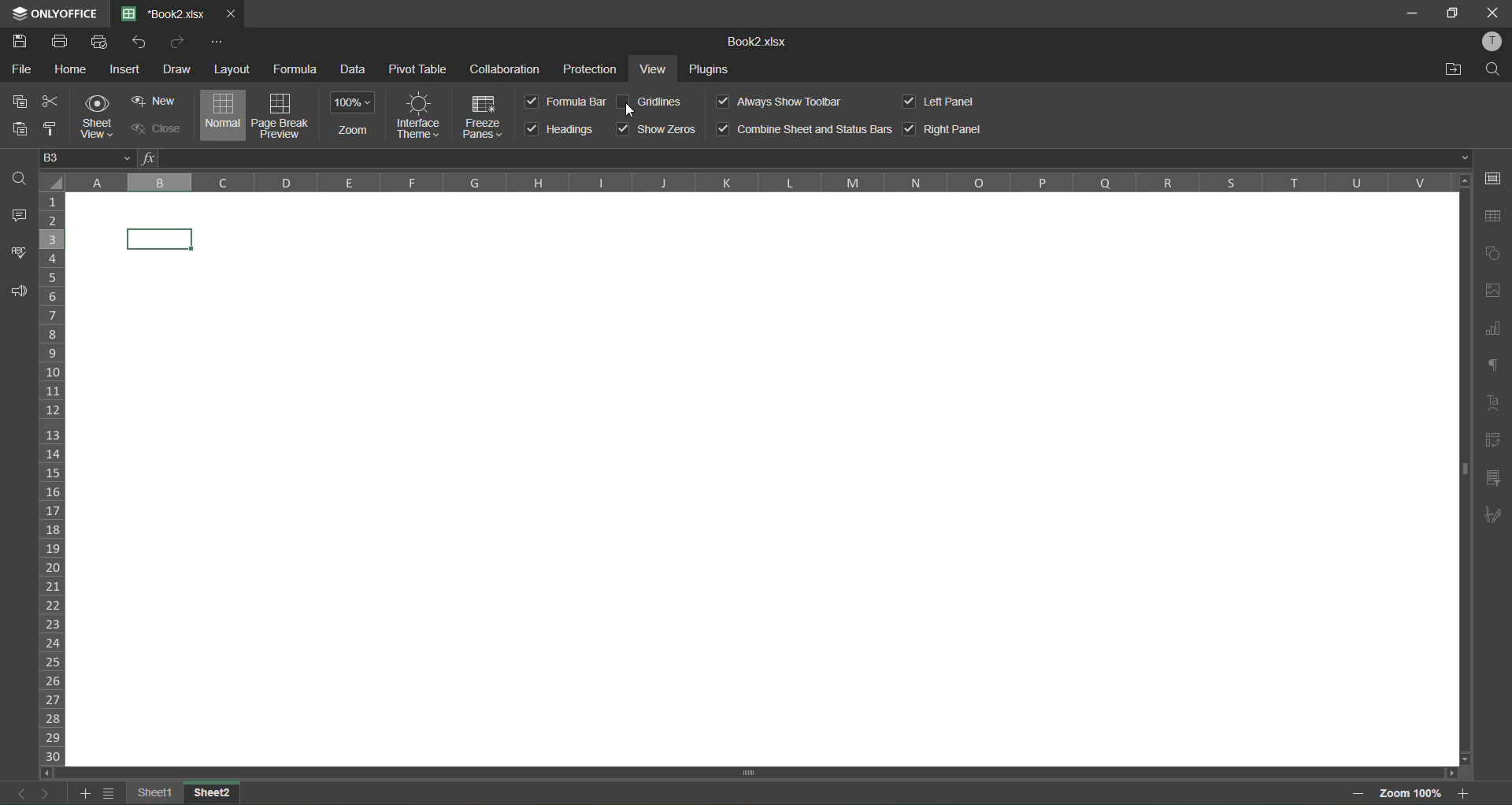 The width and height of the screenshot is (1512, 805). I want to click on view, so click(656, 70).